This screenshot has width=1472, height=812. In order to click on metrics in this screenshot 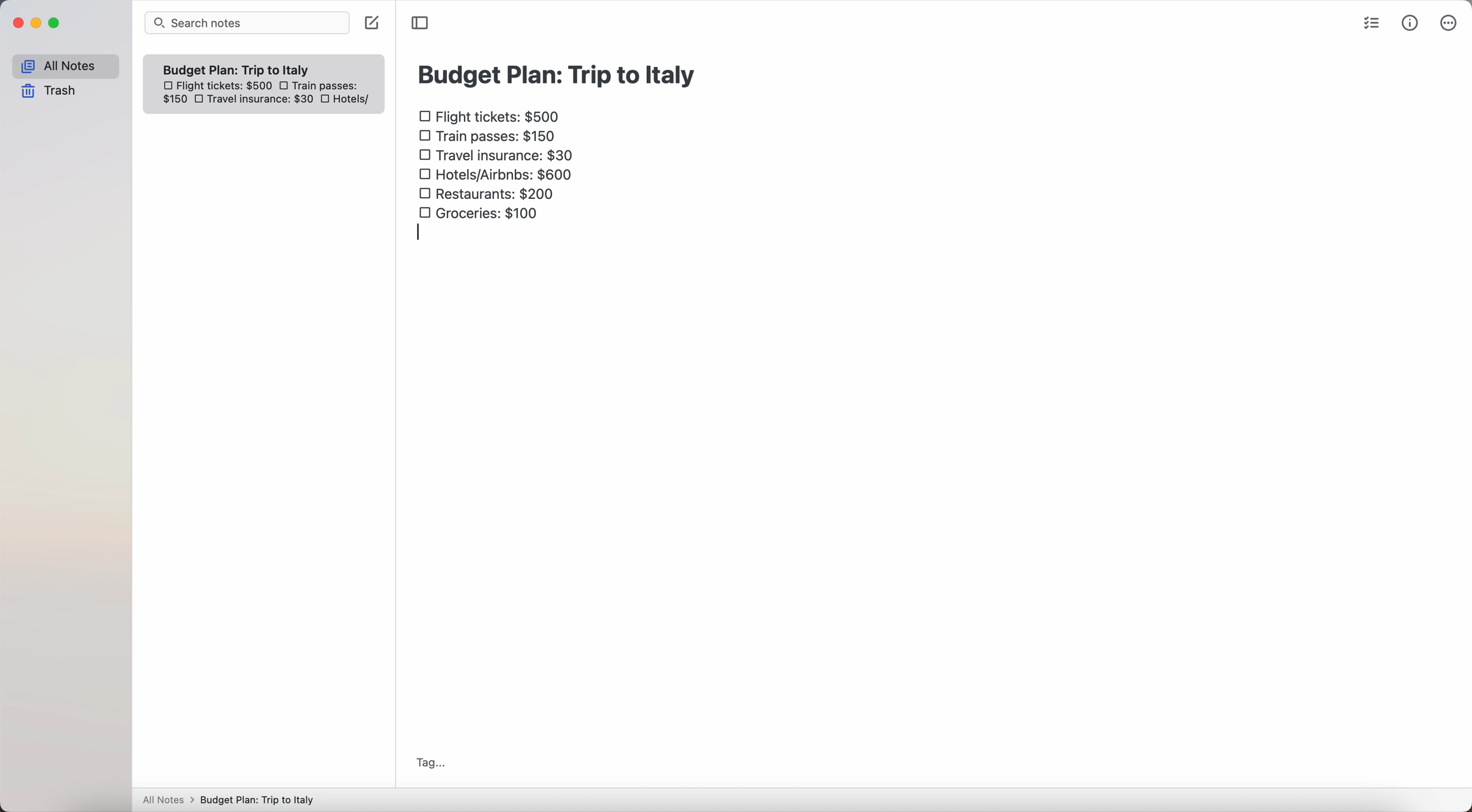, I will do `click(1410, 25)`.